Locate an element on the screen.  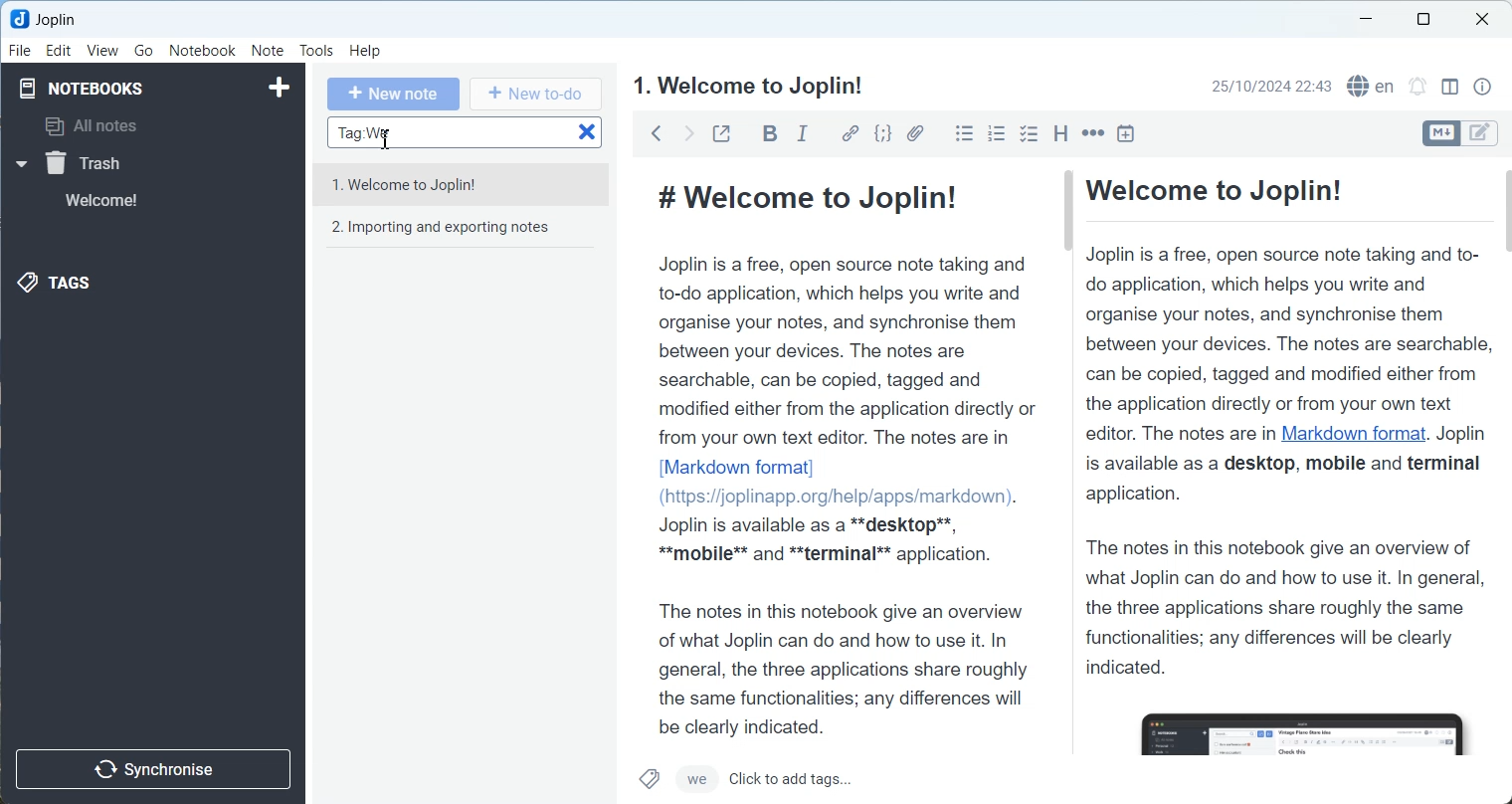
Bulleted List is located at coordinates (964, 133).